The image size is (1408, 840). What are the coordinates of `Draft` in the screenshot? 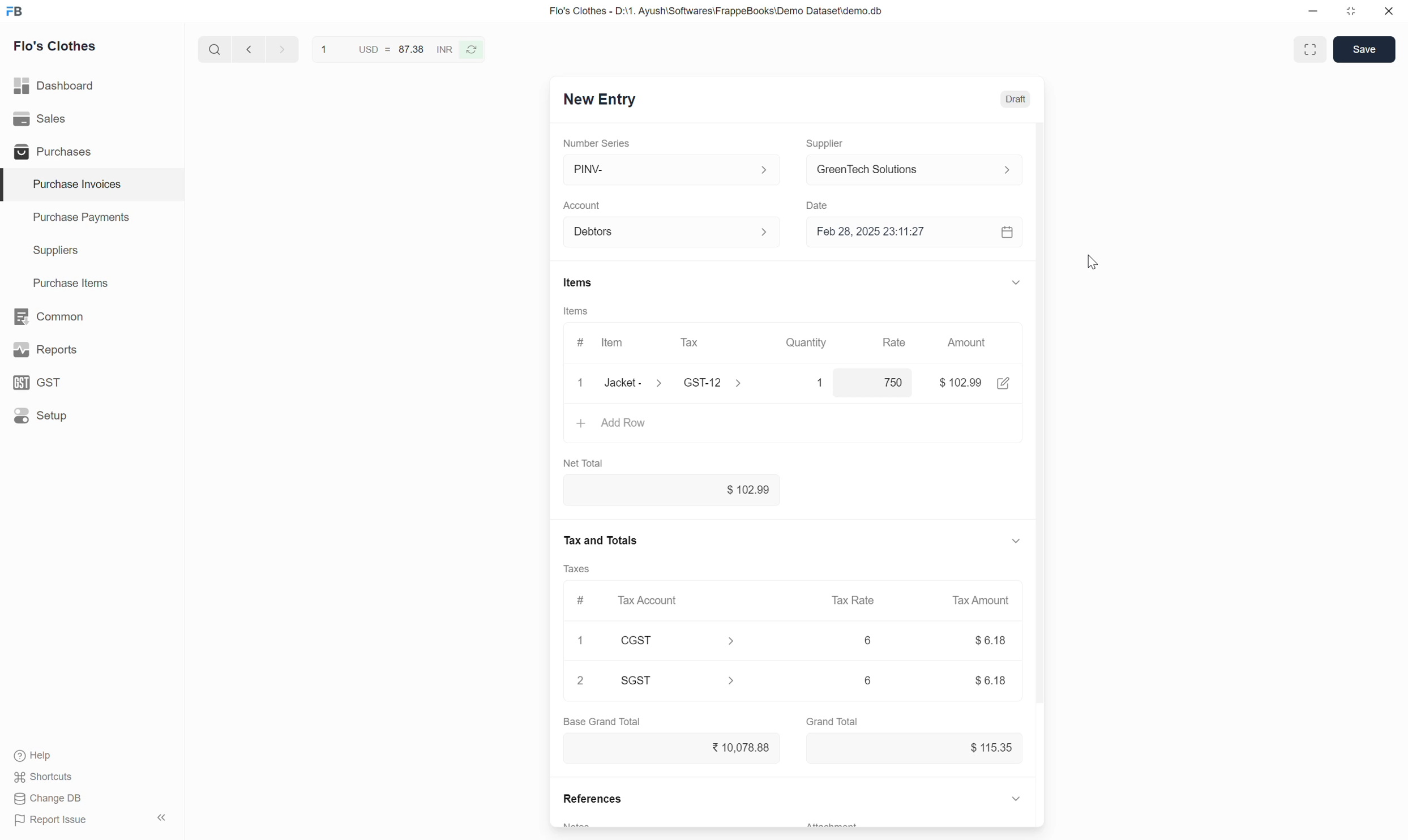 It's located at (1016, 99).